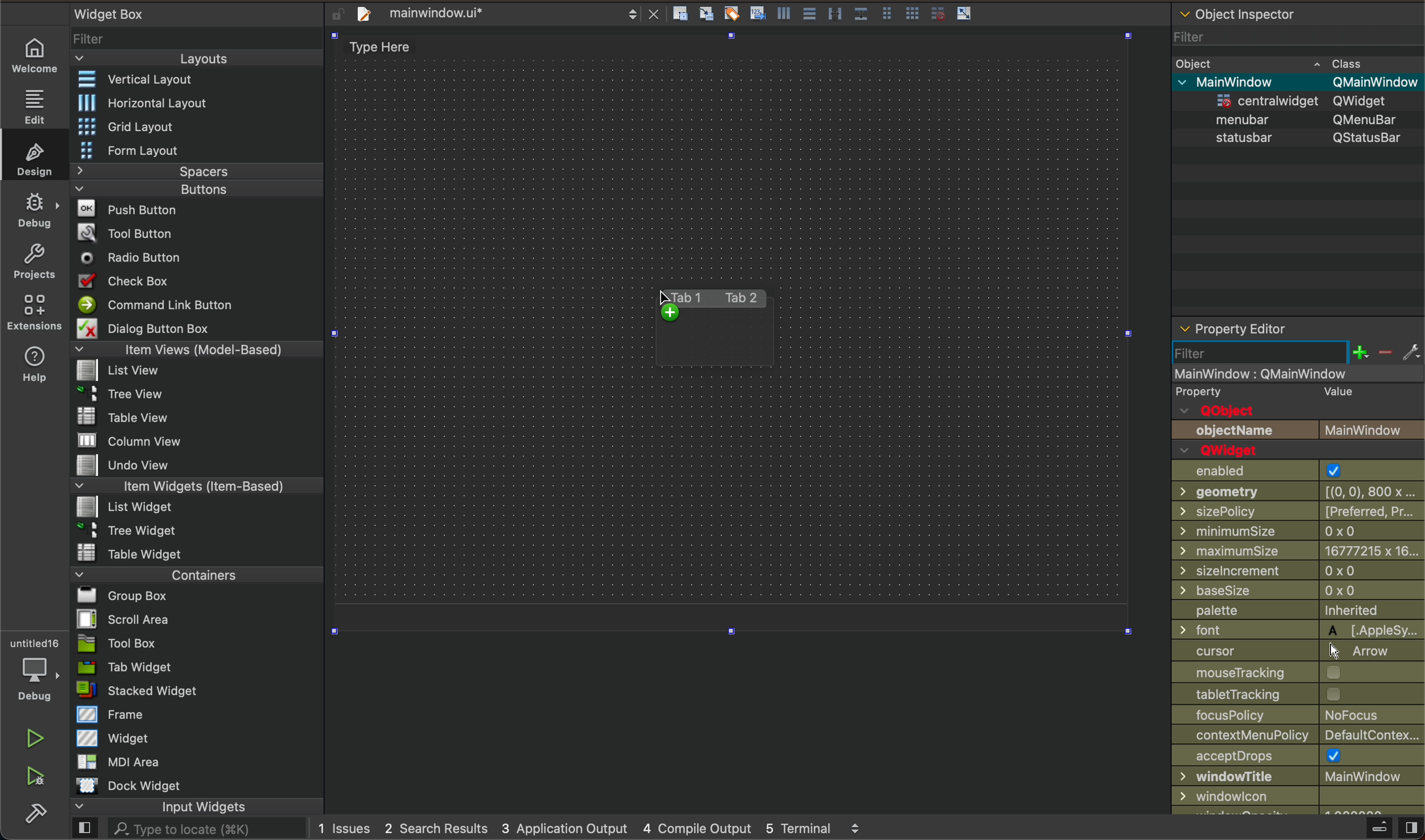  Describe the element at coordinates (155, 304) in the screenshot. I see ` Command Link Button` at that location.